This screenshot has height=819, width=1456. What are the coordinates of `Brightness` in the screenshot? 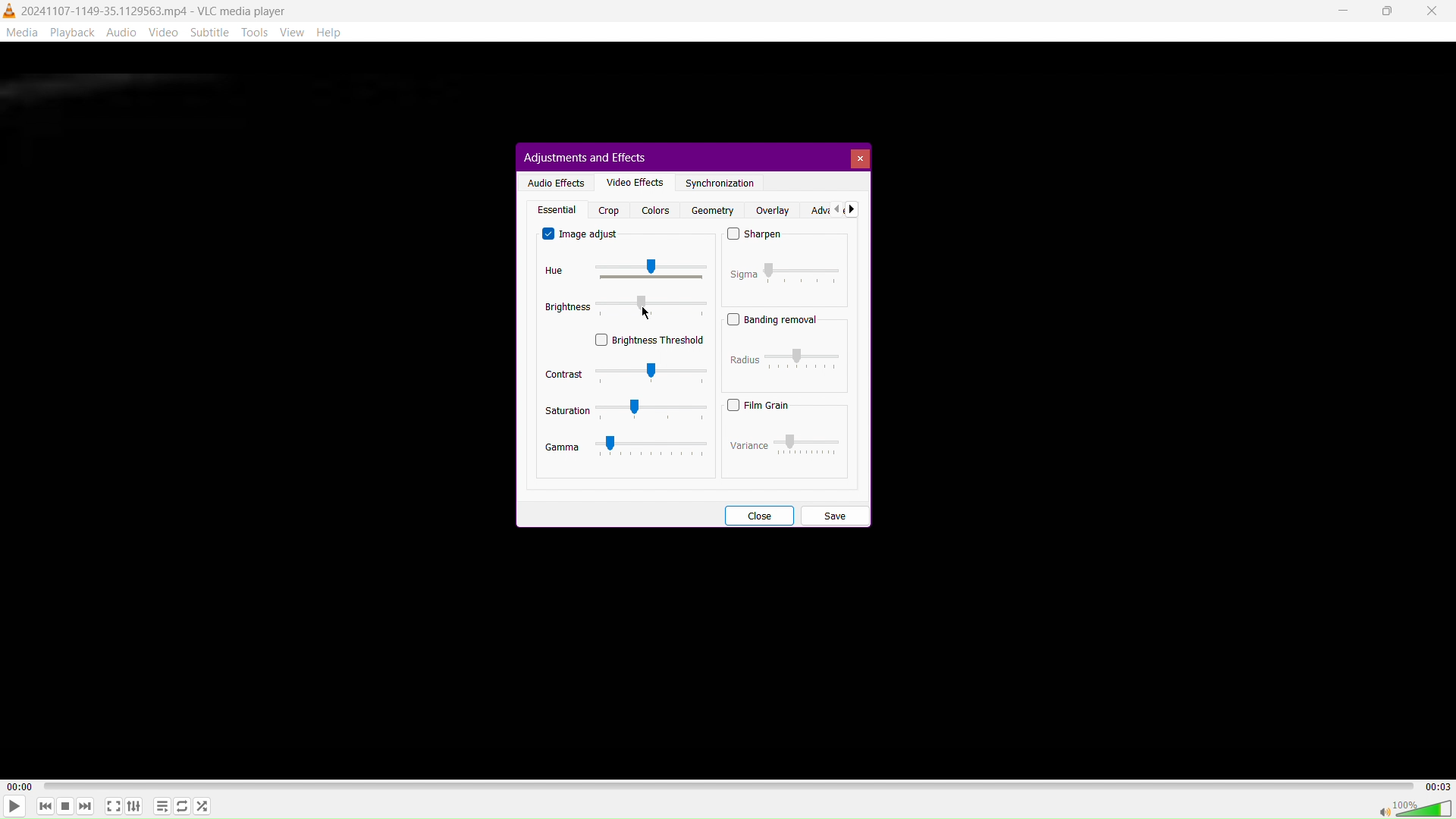 It's located at (628, 307).